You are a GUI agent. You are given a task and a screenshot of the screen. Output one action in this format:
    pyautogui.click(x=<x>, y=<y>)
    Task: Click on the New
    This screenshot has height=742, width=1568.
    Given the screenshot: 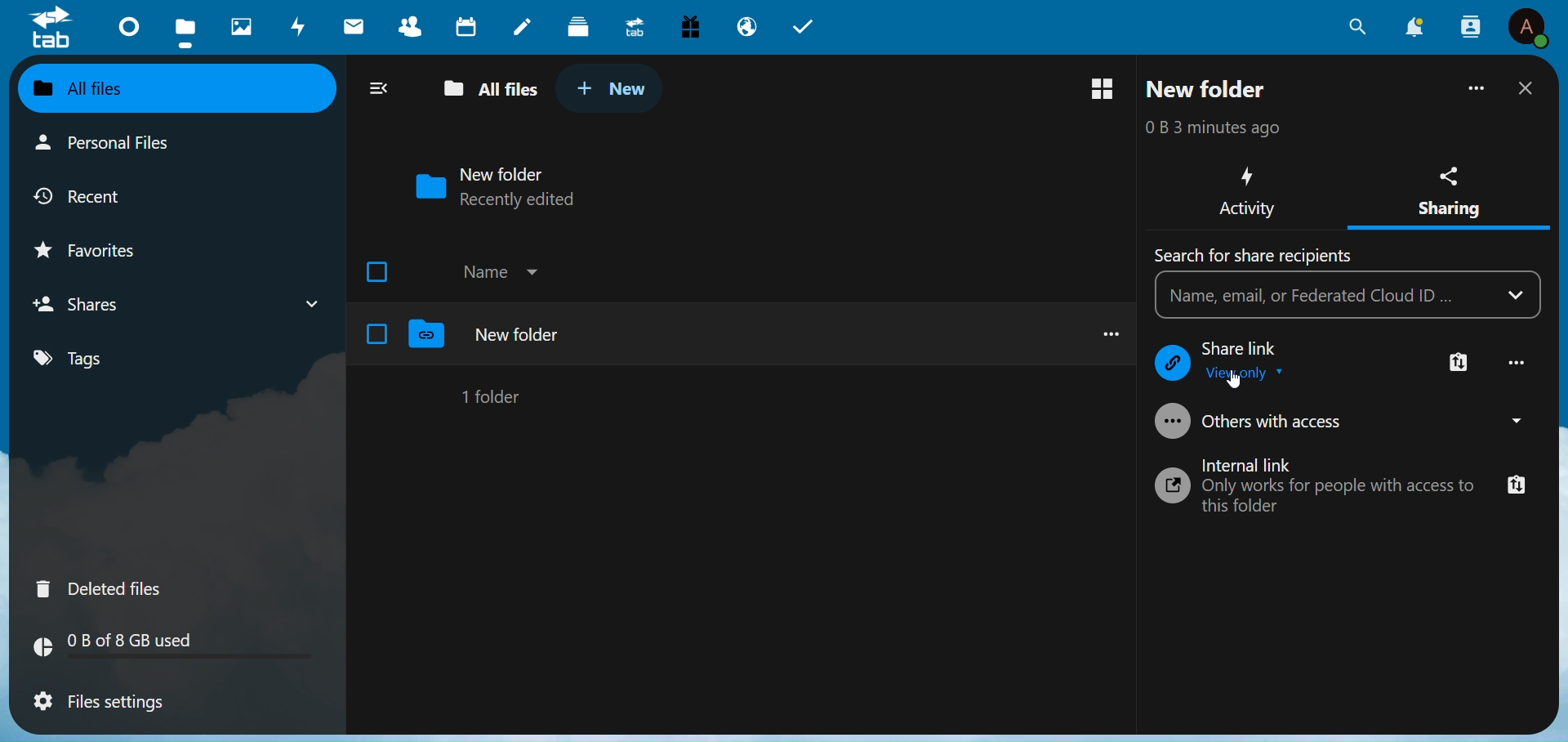 What is the action you would take?
    pyautogui.click(x=612, y=87)
    